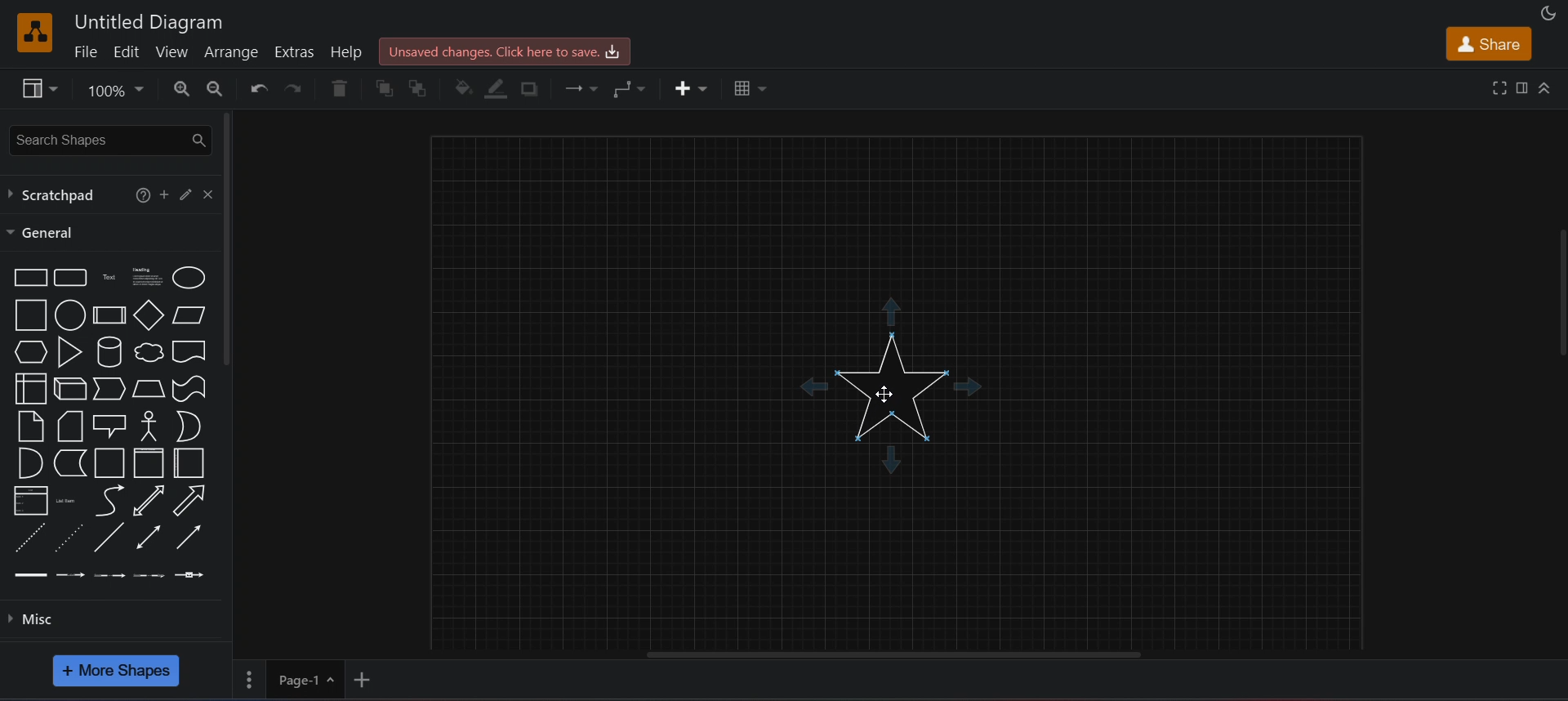  I want to click on bidirectional connector, so click(148, 537).